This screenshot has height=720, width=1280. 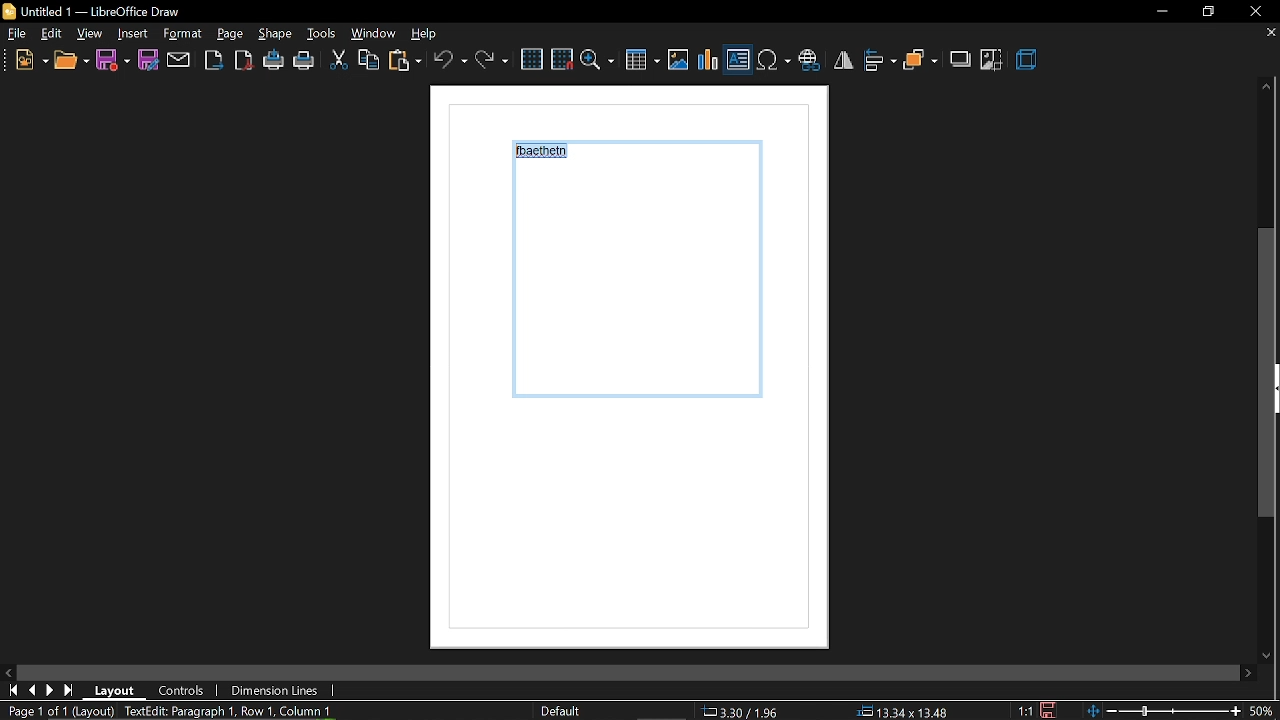 I want to click on zoom change, so click(x=1183, y=713).